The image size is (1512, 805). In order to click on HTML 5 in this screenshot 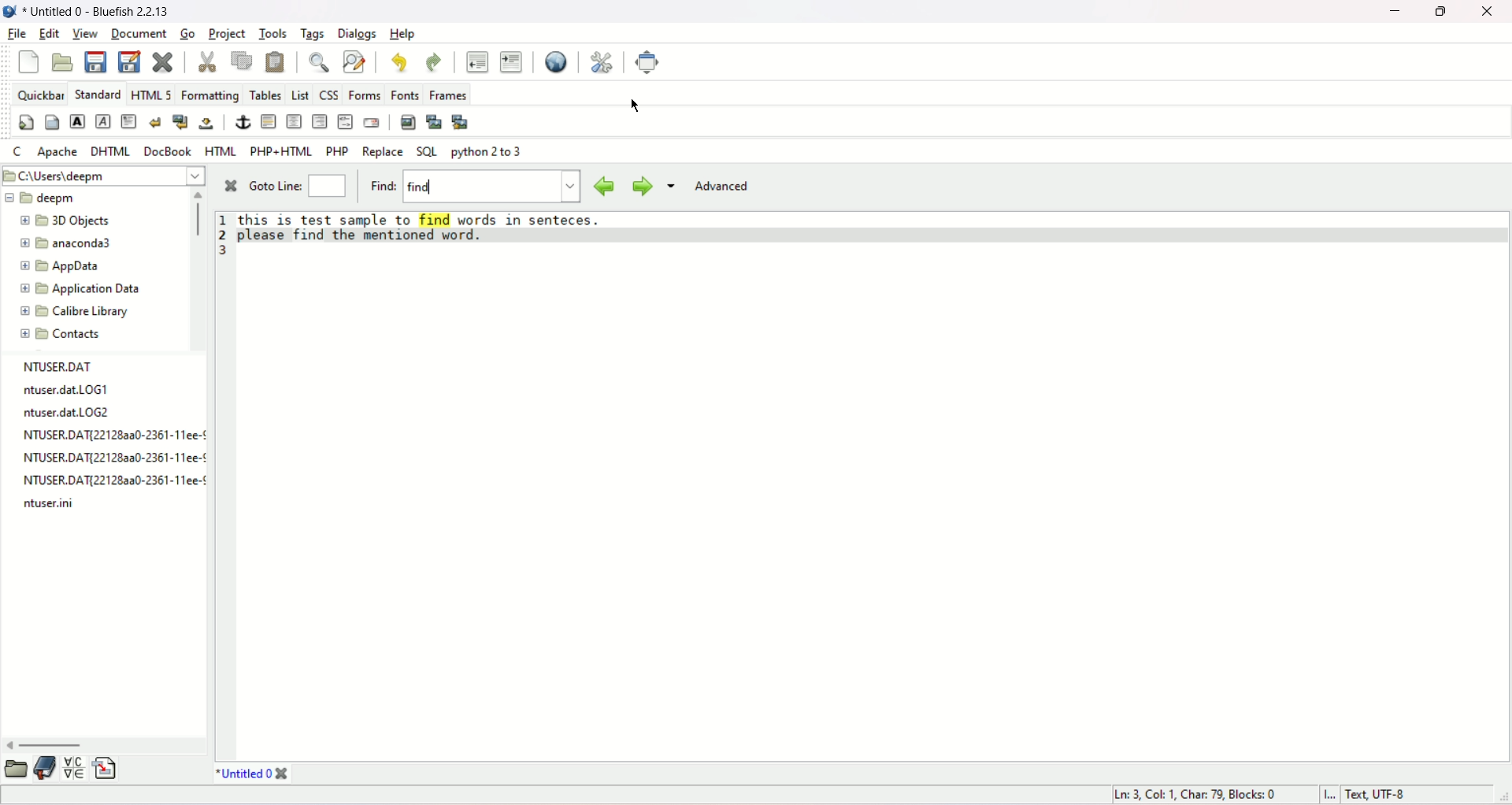, I will do `click(151, 96)`.